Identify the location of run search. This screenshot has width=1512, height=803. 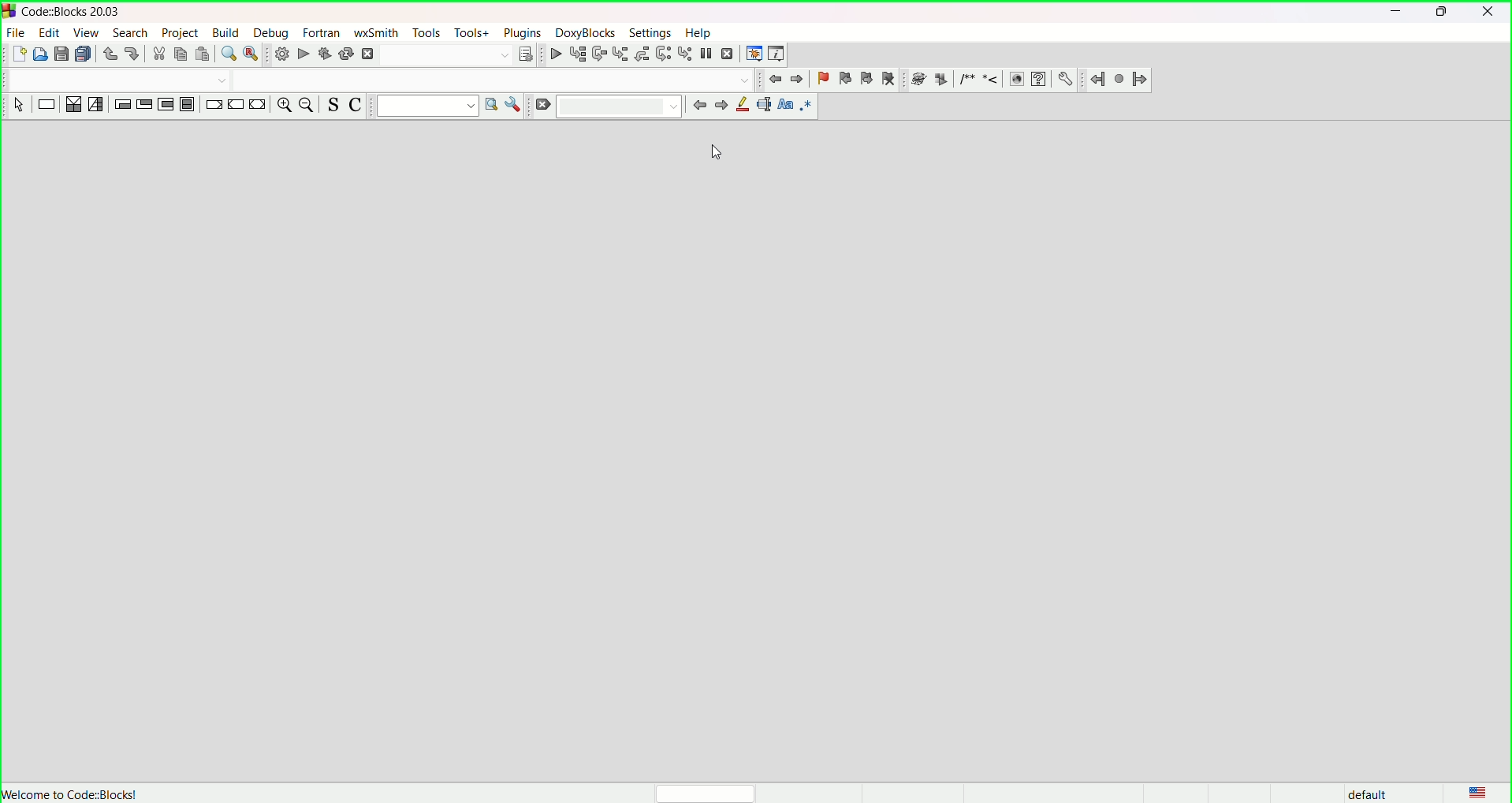
(492, 105).